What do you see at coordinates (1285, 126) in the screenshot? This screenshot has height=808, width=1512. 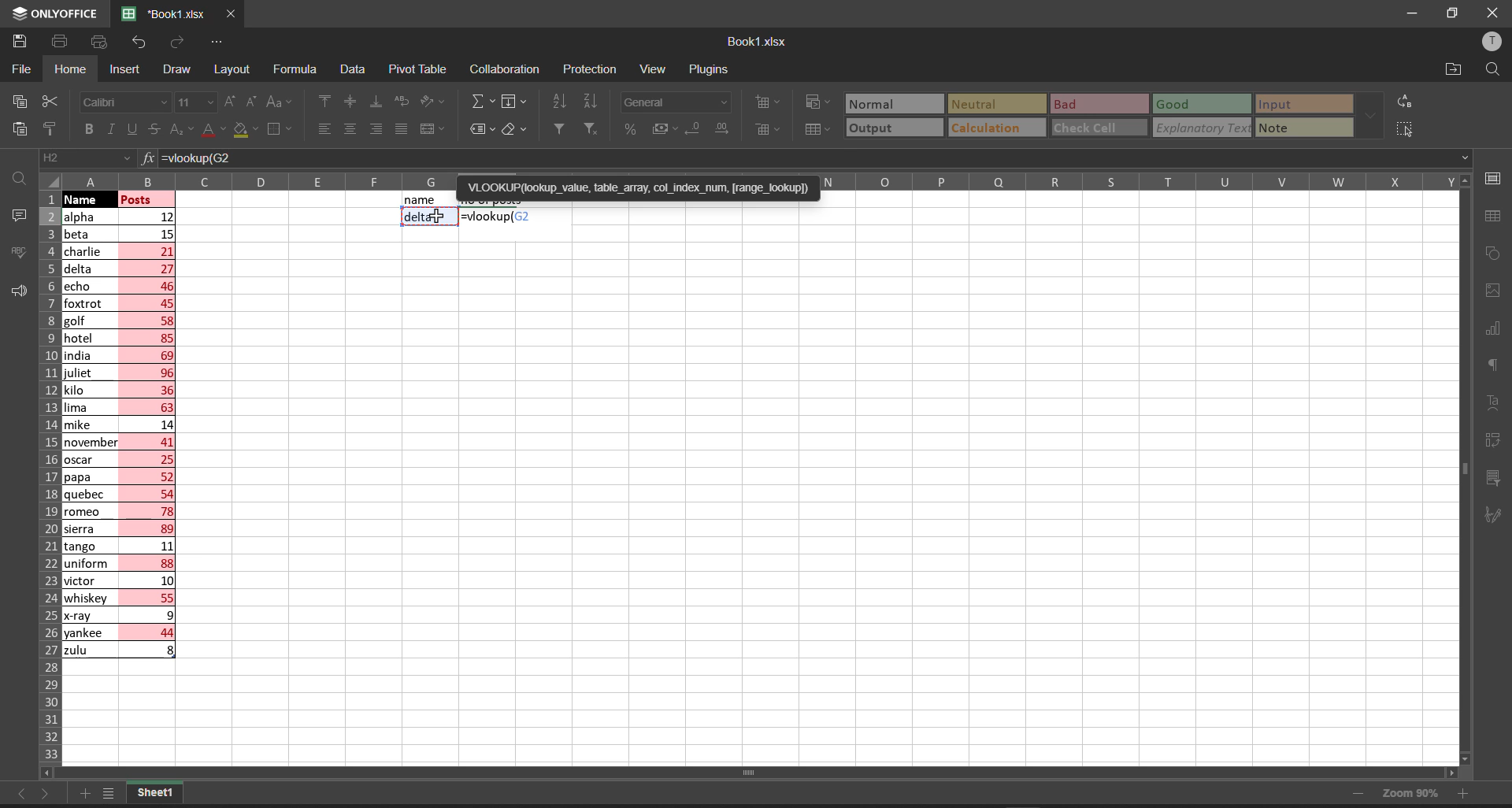 I see `note` at bounding box center [1285, 126].